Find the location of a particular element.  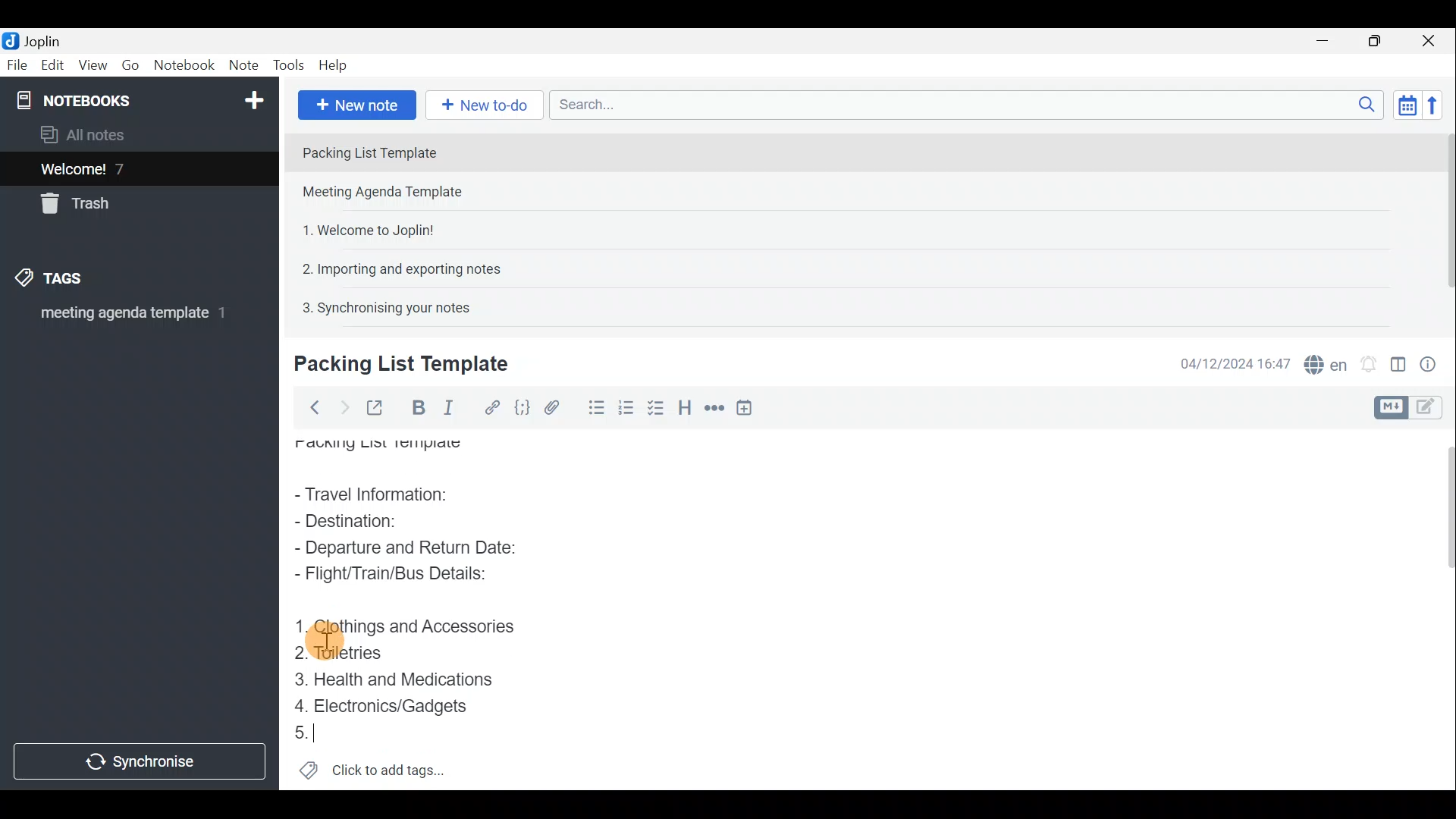

Joplin is located at coordinates (36, 40).